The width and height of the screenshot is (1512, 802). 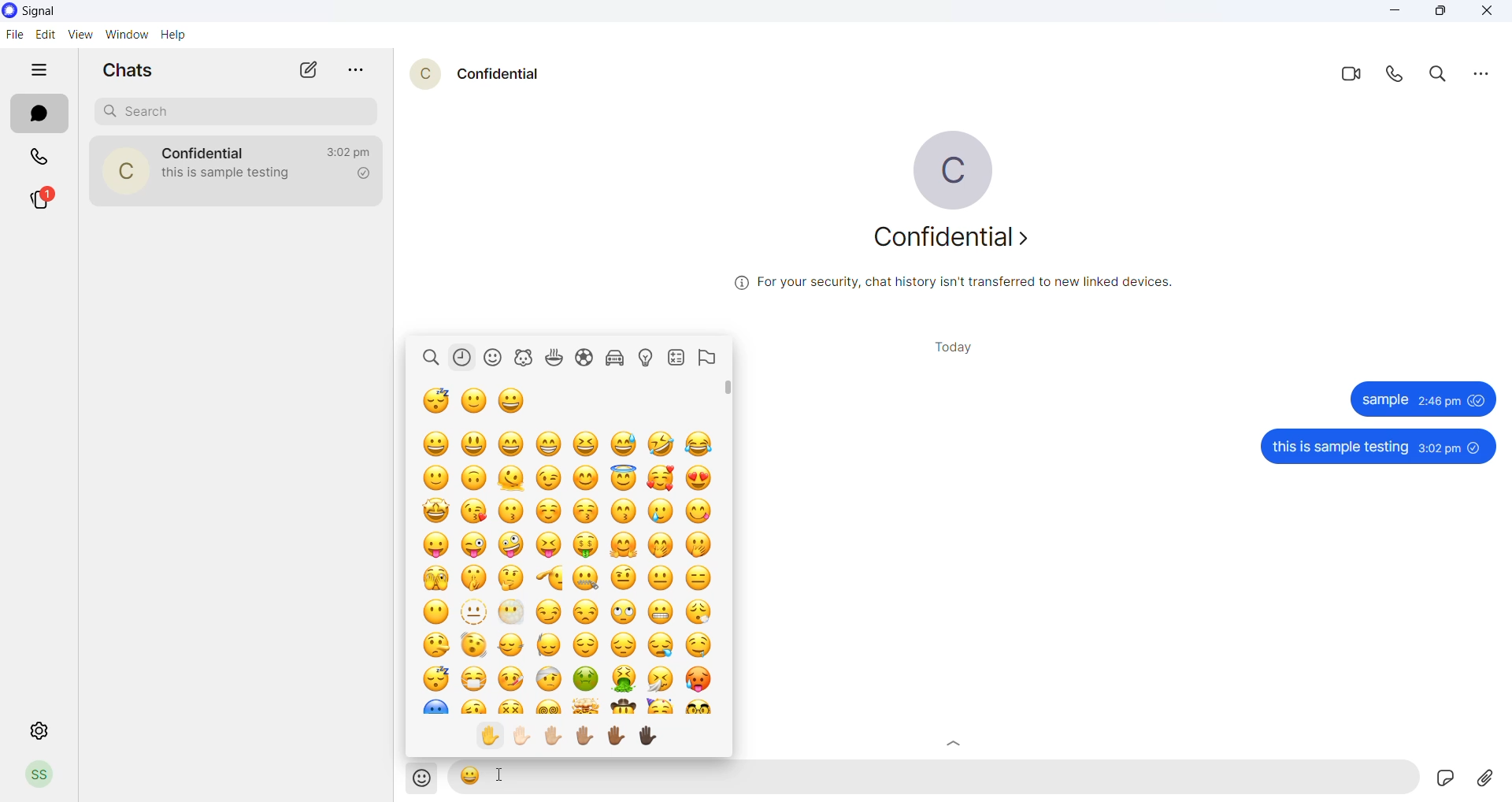 What do you see at coordinates (350, 150) in the screenshot?
I see `last message time` at bounding box center [350, 150].